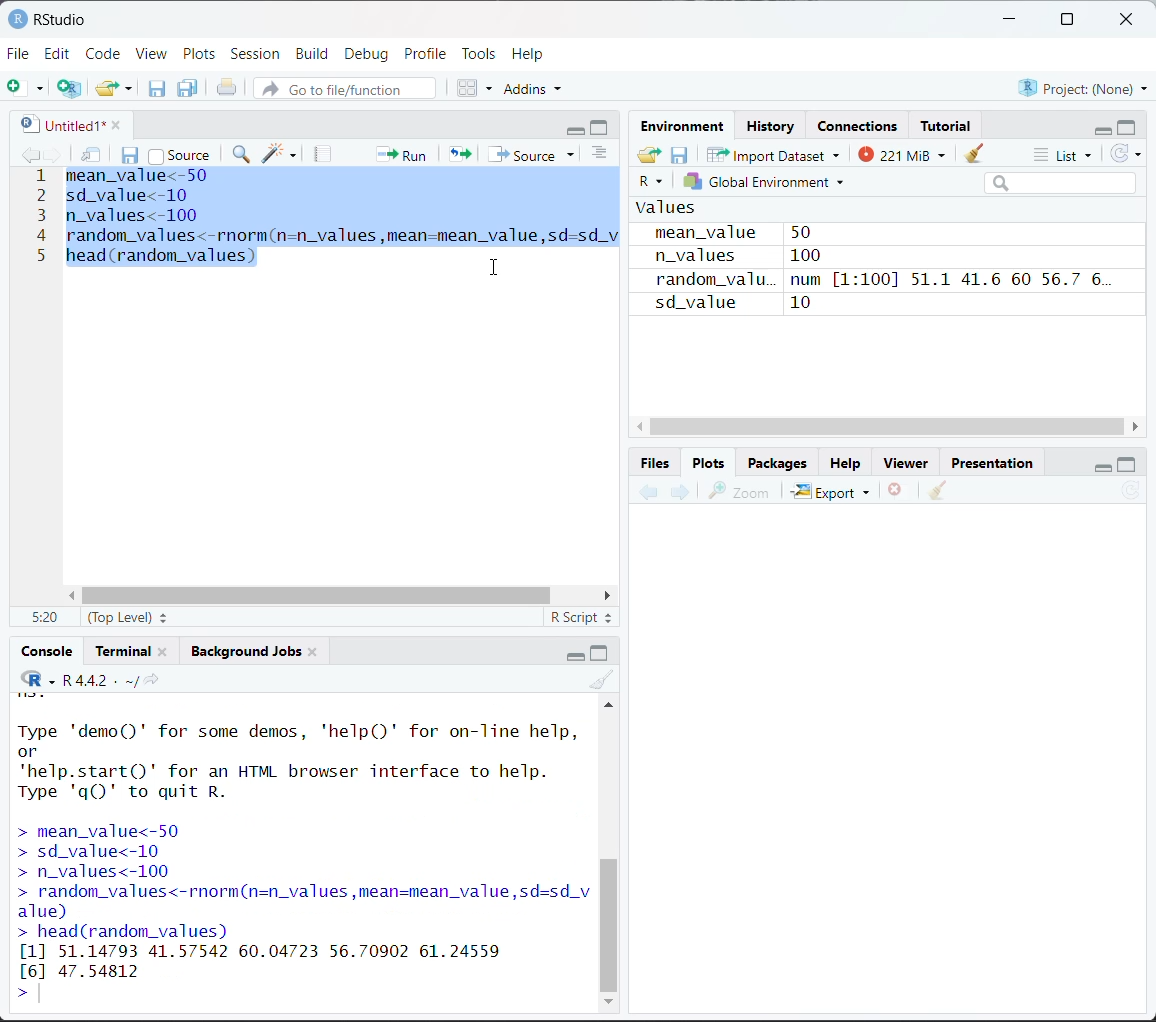 The height and width of the screenshot is (1022, 1156). What do you see at coordinates (125, 648) in the screenshot?
I see `Terminal` at bounding box center [125, 648].